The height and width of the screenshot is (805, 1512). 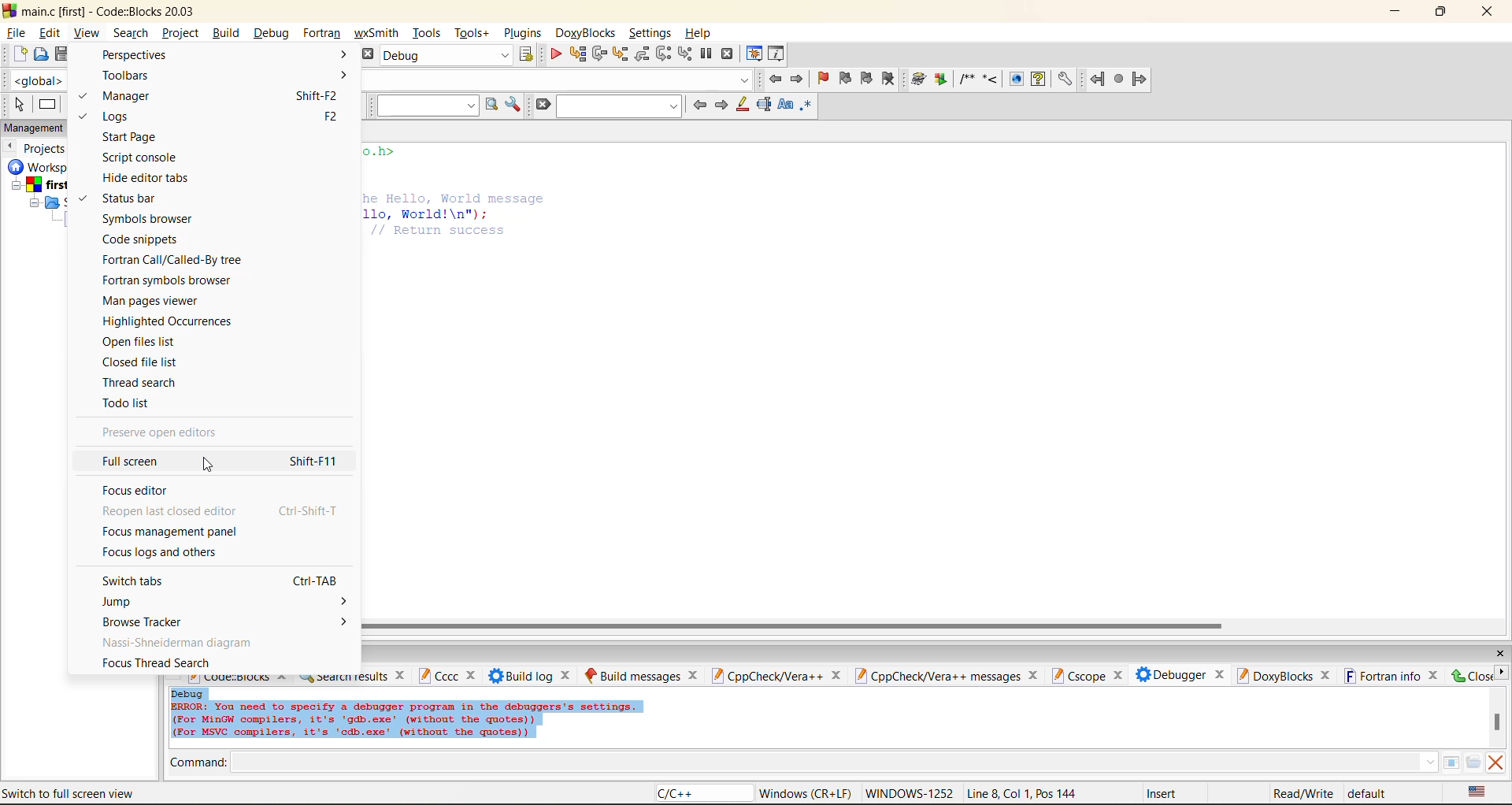 What do you see at coordinates (472, 32) in the screenshot?
I see `tools+` at bounding box center [472, 32].